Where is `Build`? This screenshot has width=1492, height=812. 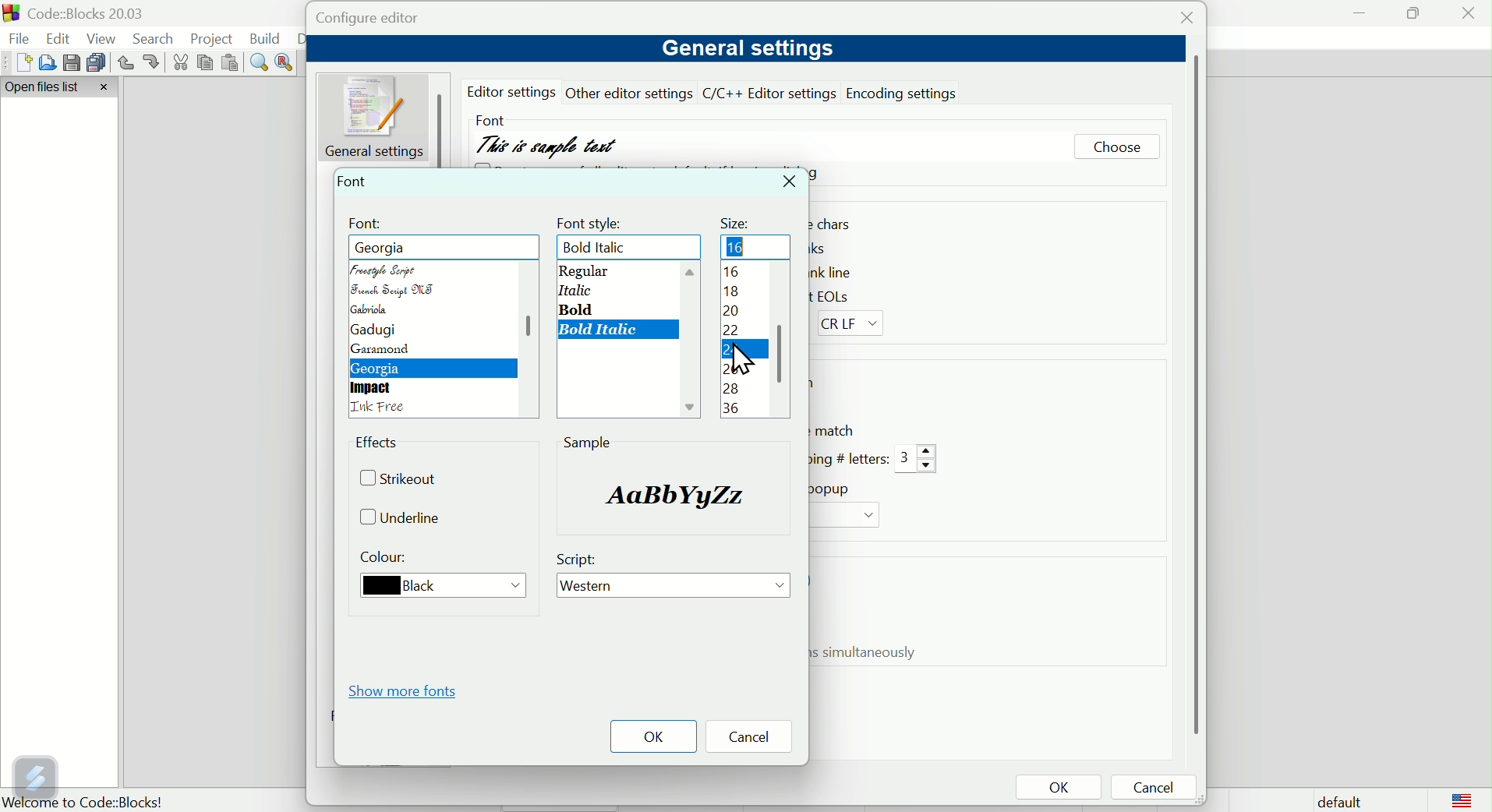
Build is located at coordinates (266, 38).